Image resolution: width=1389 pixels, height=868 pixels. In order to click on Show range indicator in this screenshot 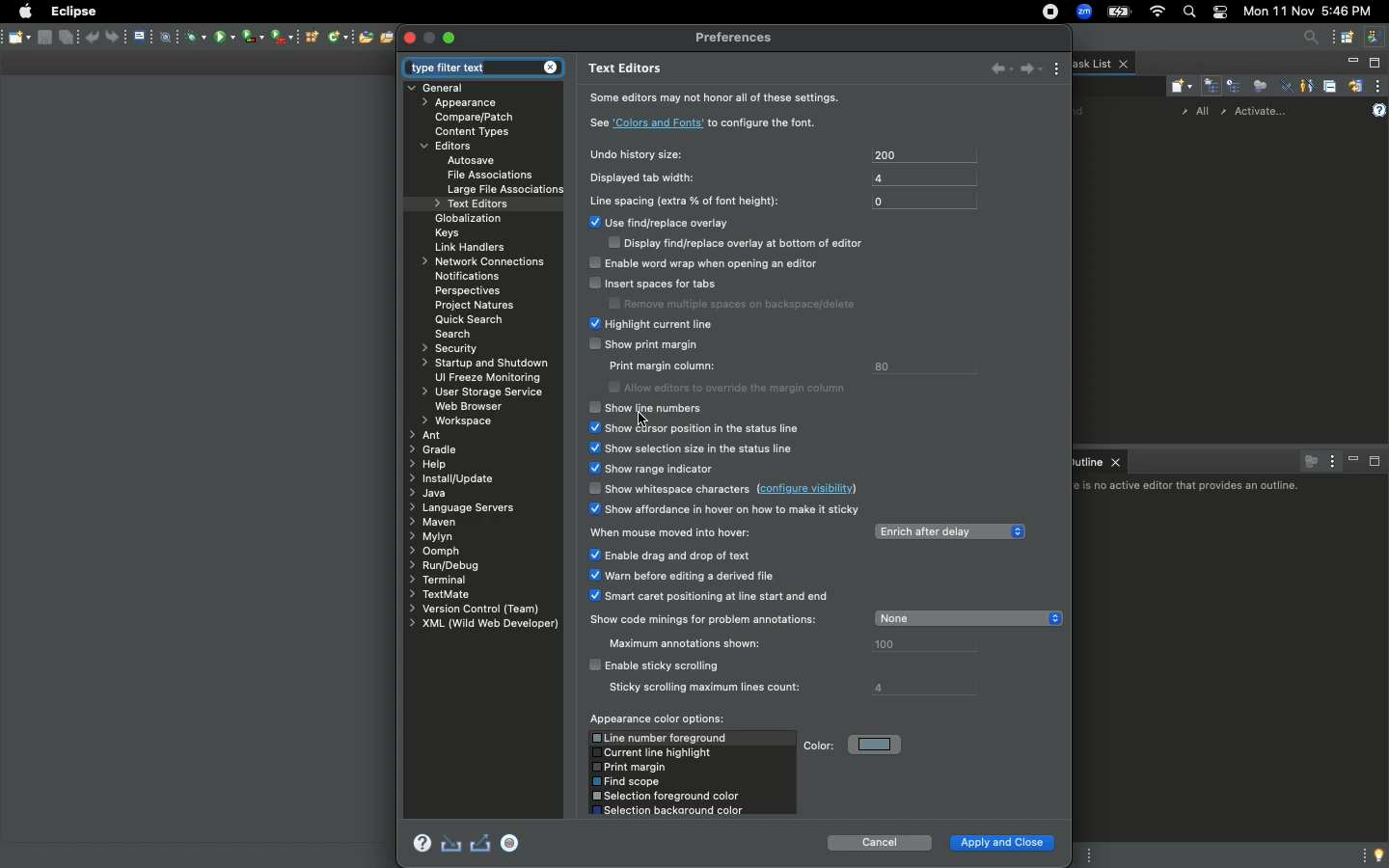, I will do `click(650, 468)`.